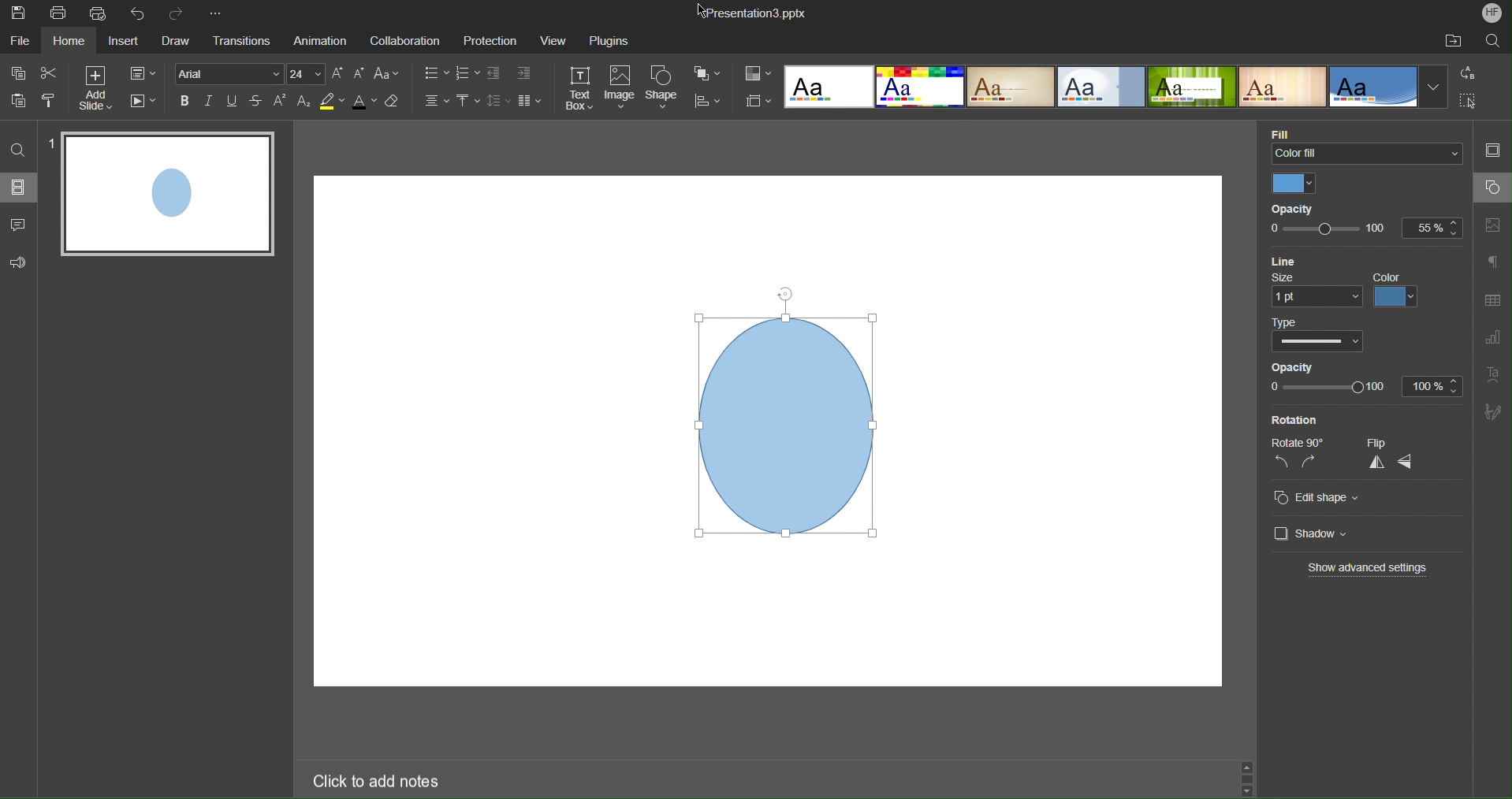 The width and height of the screenshot is (1512, 799). I want to click on Erase Style, so click(397, 104).